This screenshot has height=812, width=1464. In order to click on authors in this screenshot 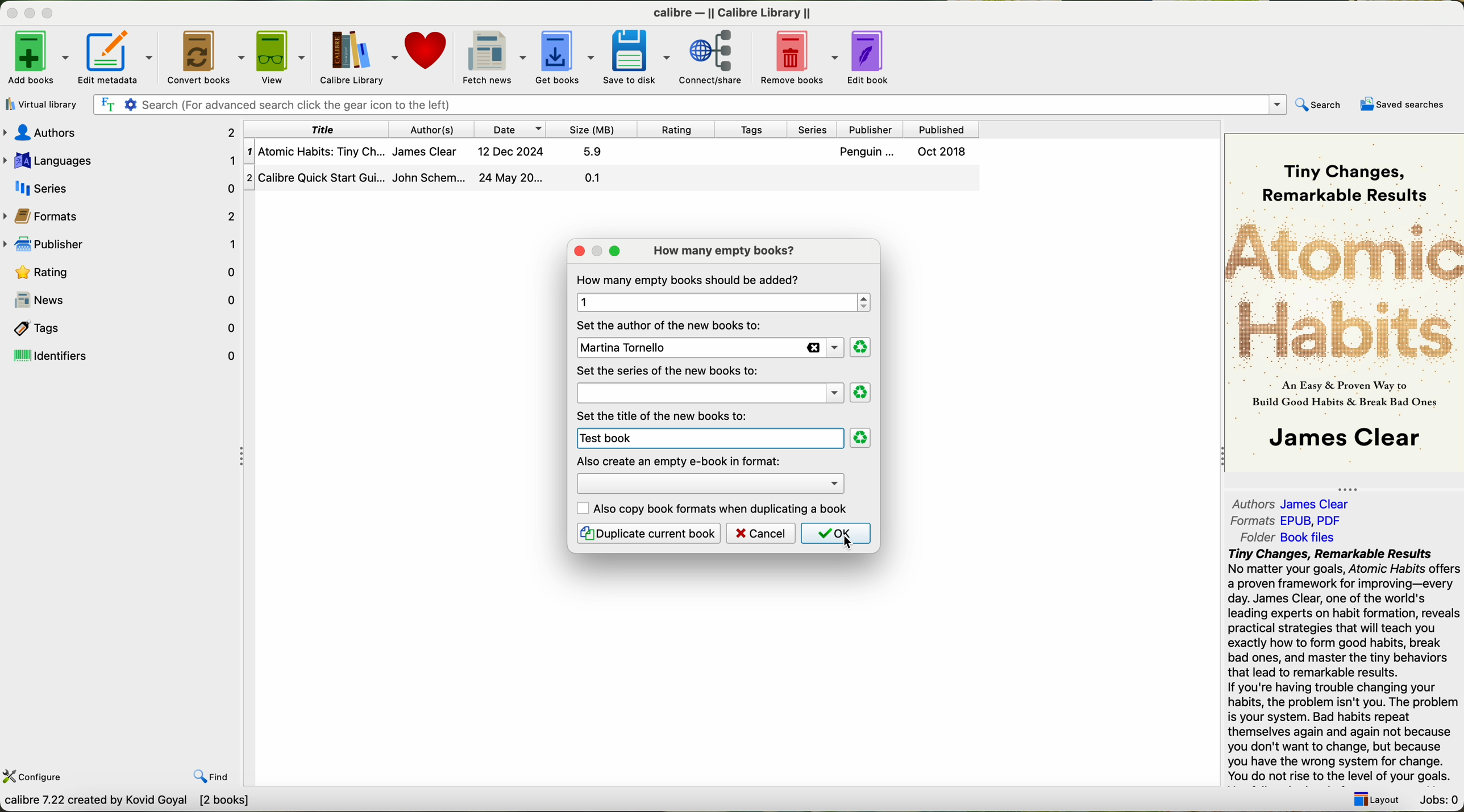, I will do `click(1296, 503)`.